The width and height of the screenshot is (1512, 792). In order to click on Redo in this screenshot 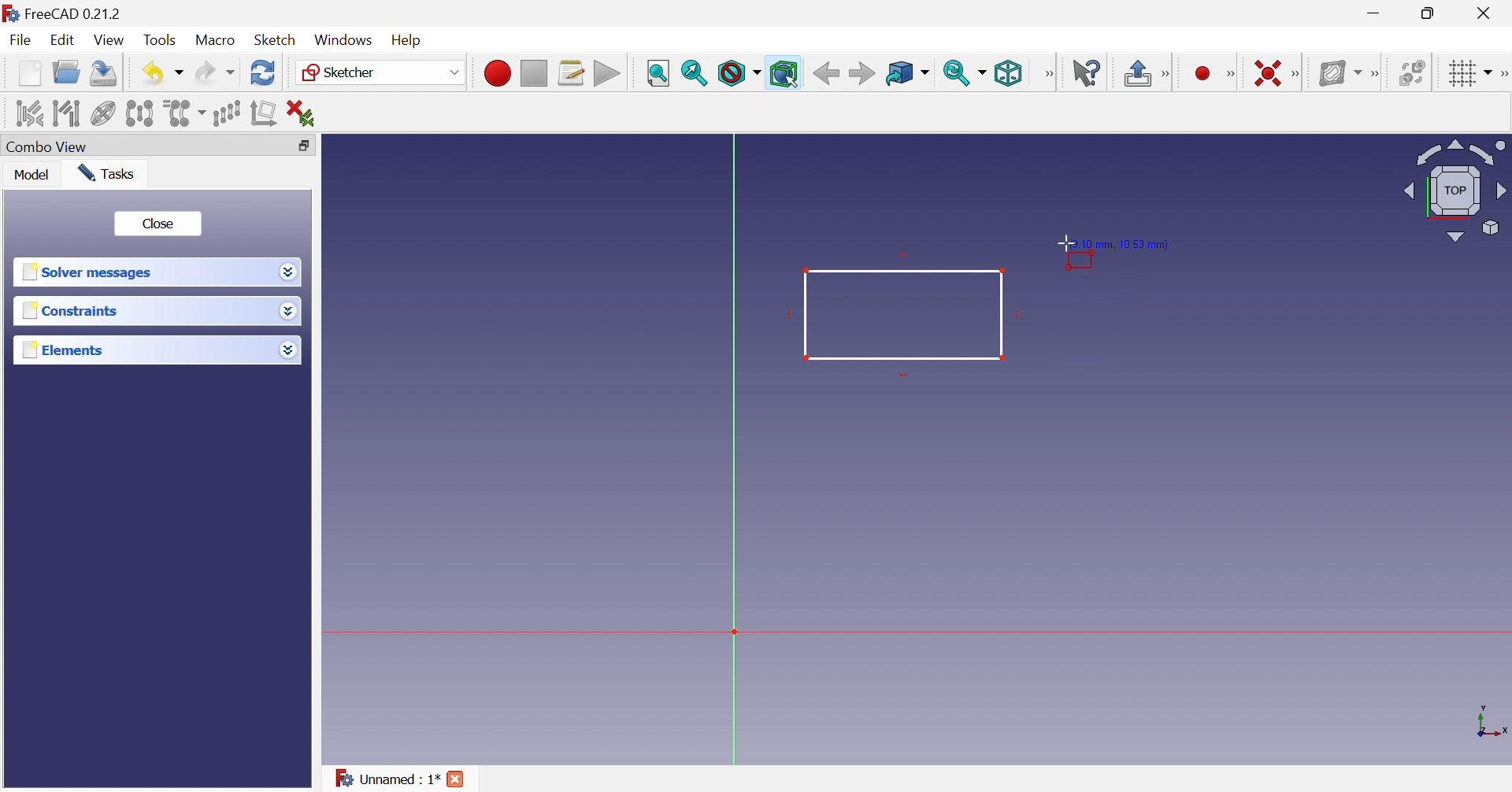, I will do `click(213, 72)`.